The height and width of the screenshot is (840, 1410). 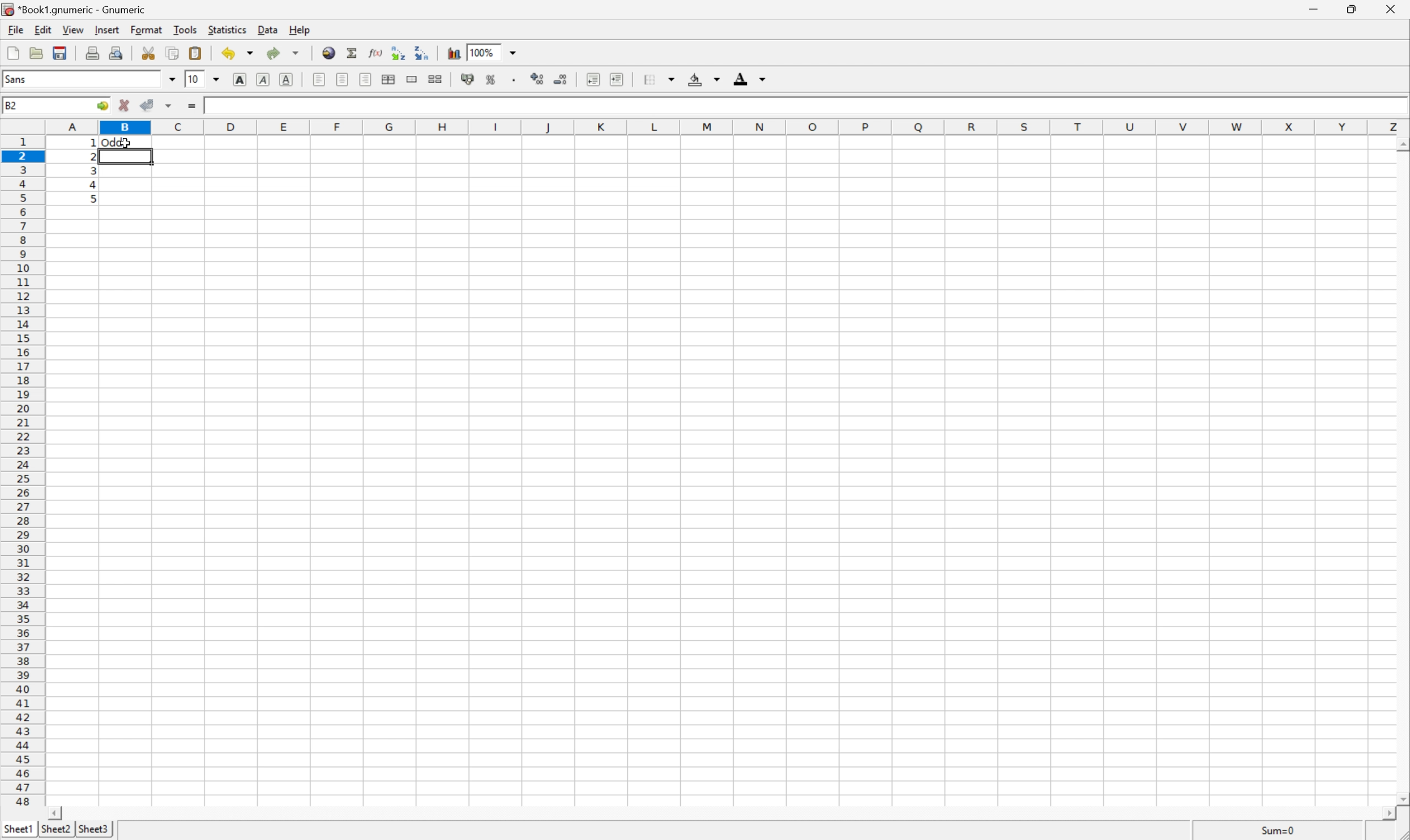 I want to click on =IF(MOD(A1,2)=0,"Even","Odd"), so click(x=280, y=107).